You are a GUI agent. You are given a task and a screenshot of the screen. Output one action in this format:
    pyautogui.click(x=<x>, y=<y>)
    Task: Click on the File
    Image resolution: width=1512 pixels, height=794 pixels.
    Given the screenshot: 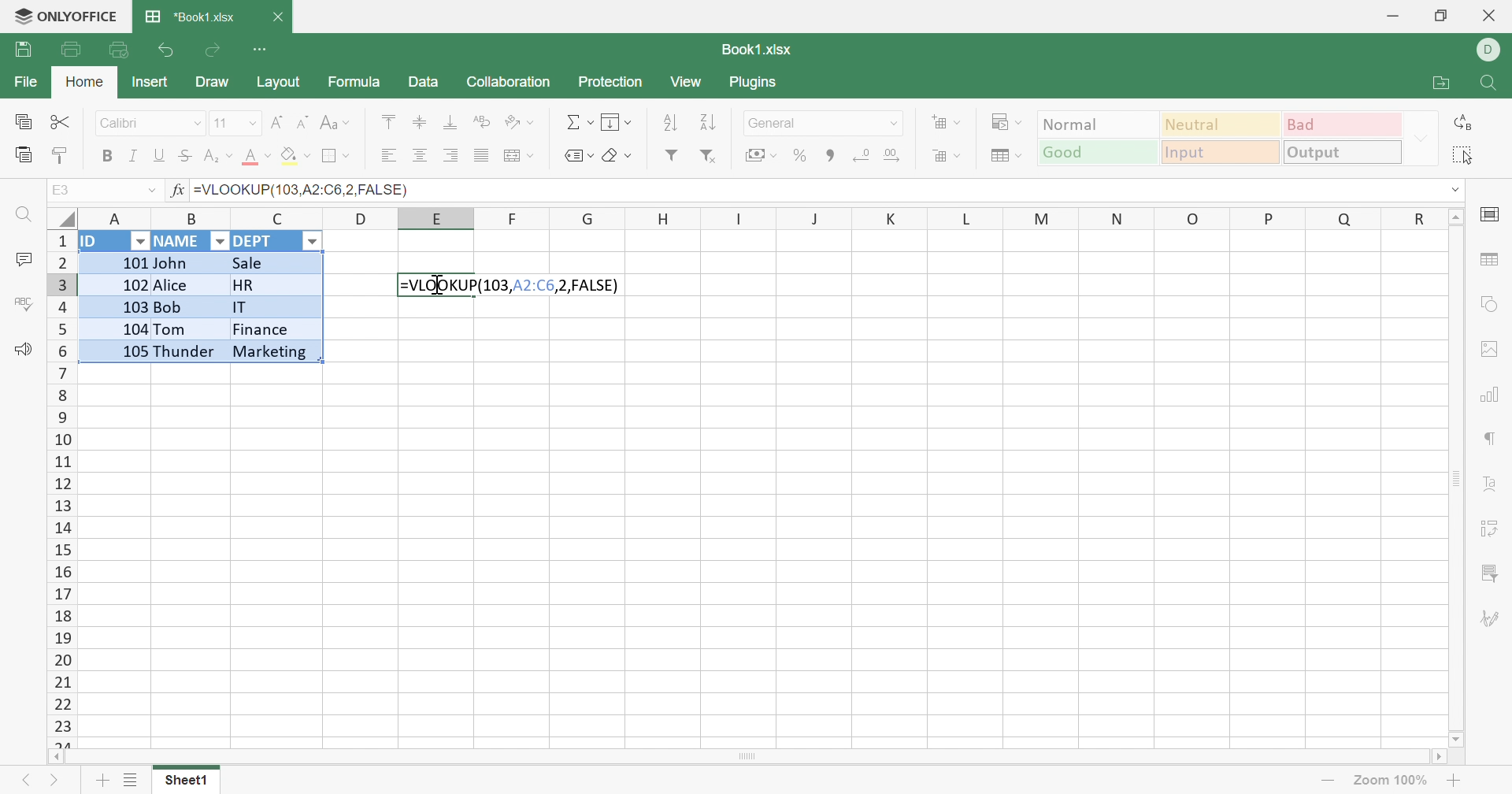 What is the action you would take?
    pyautogui.click(x=23, y=83)
    